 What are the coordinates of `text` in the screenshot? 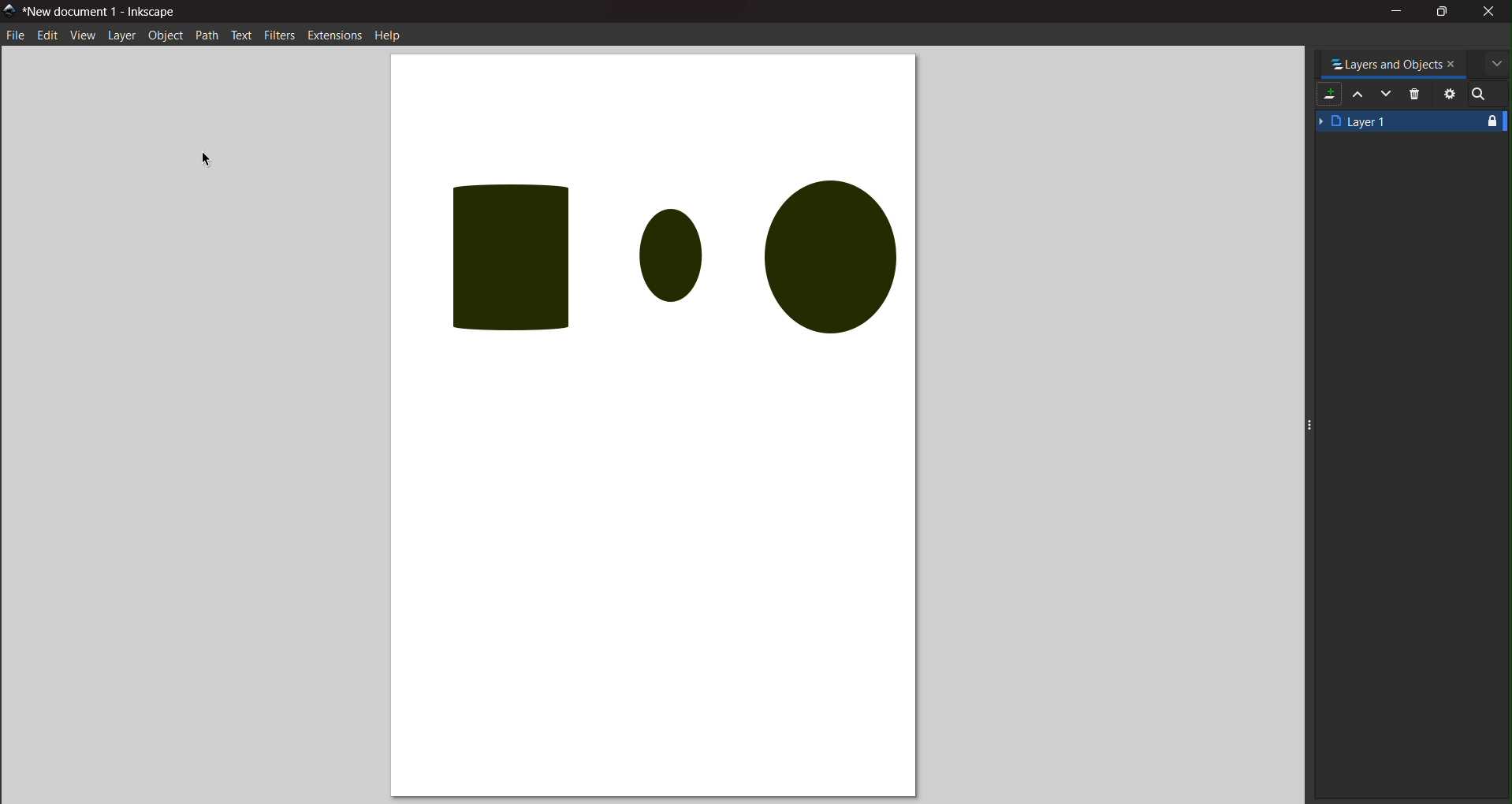 It's located at (241, 35).